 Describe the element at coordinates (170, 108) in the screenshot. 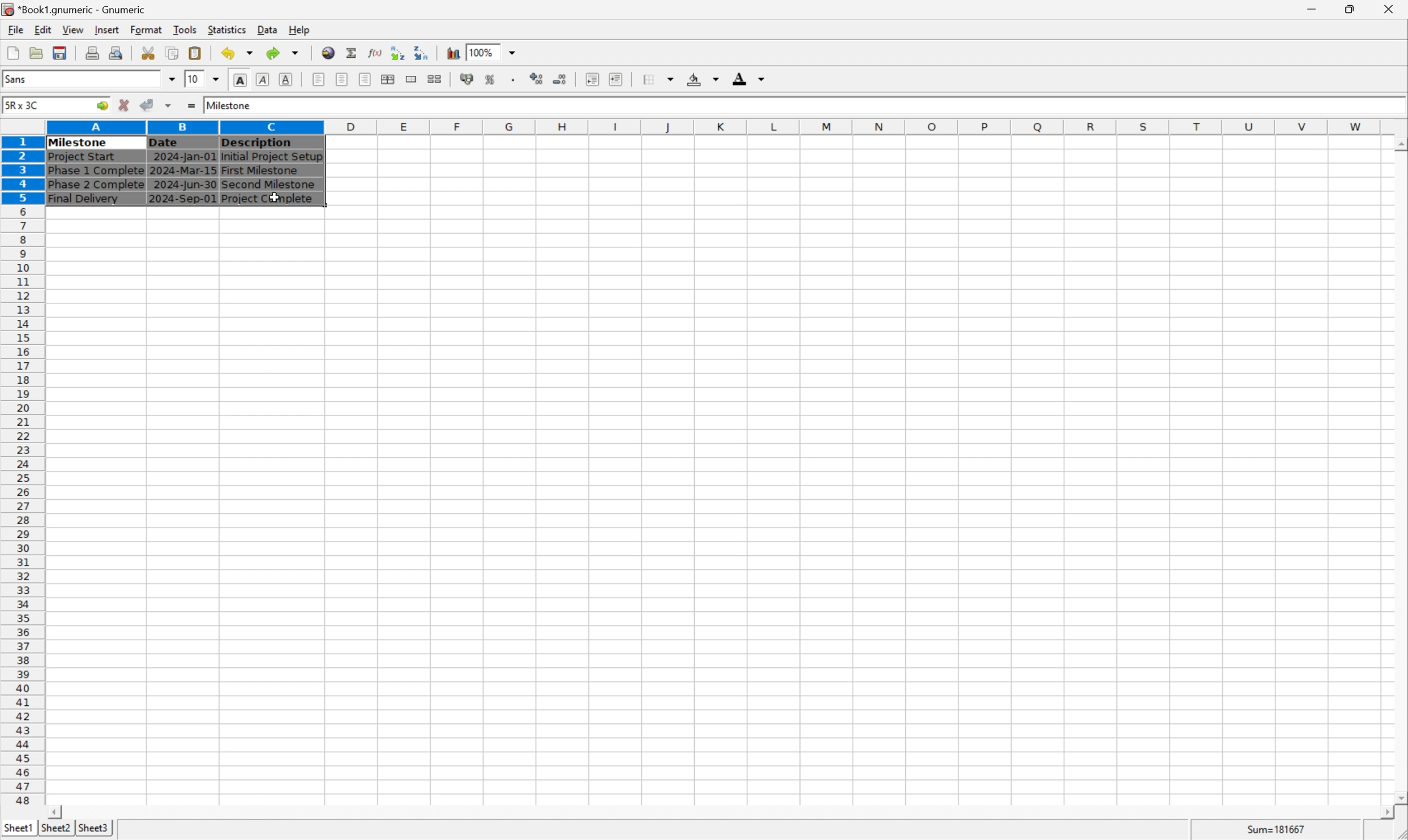

I see `accept changes in multiple cells` at that location.